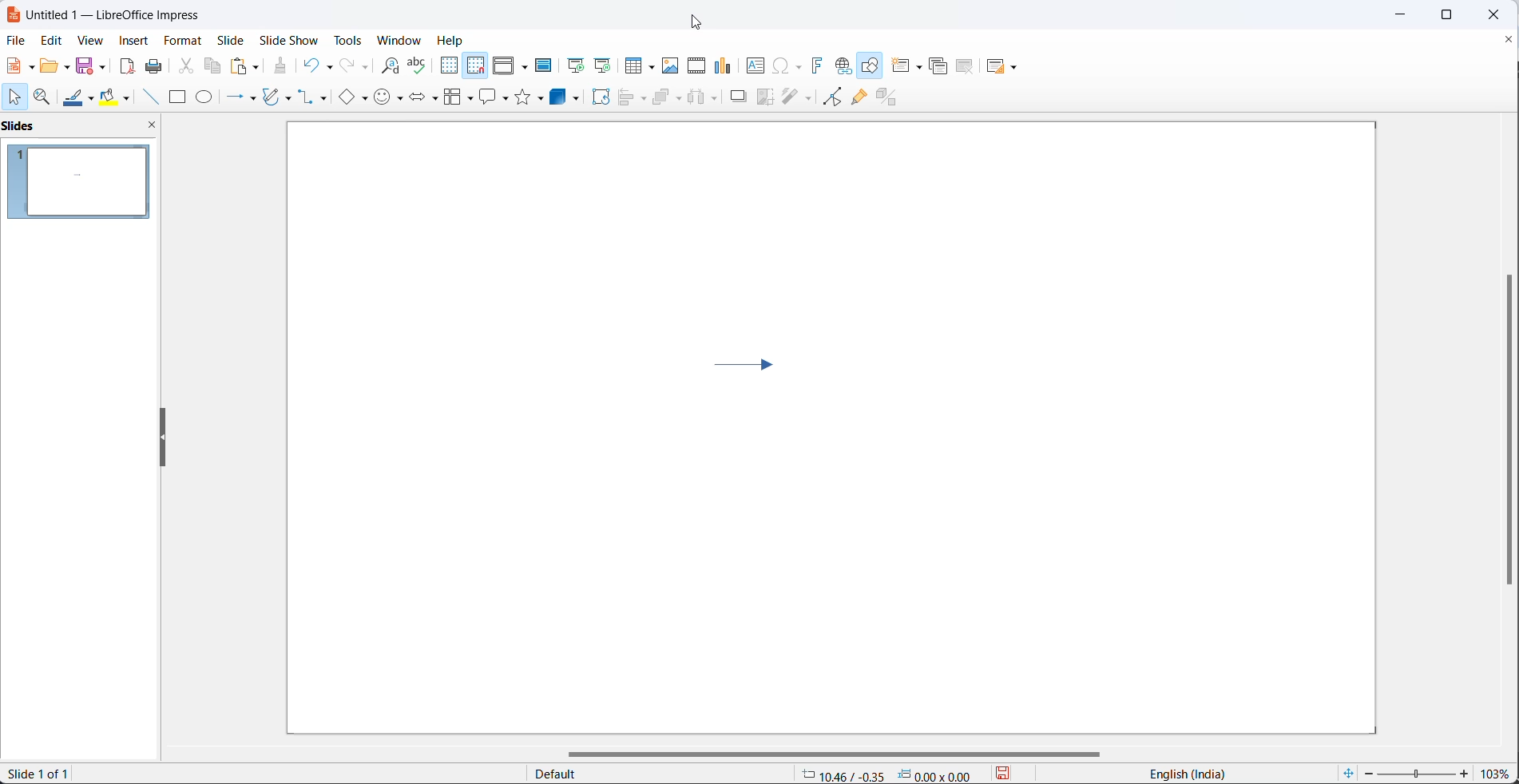  Describe the element at coordinates (129, 68) in the screenshot. I see `export as pdf` at that location.